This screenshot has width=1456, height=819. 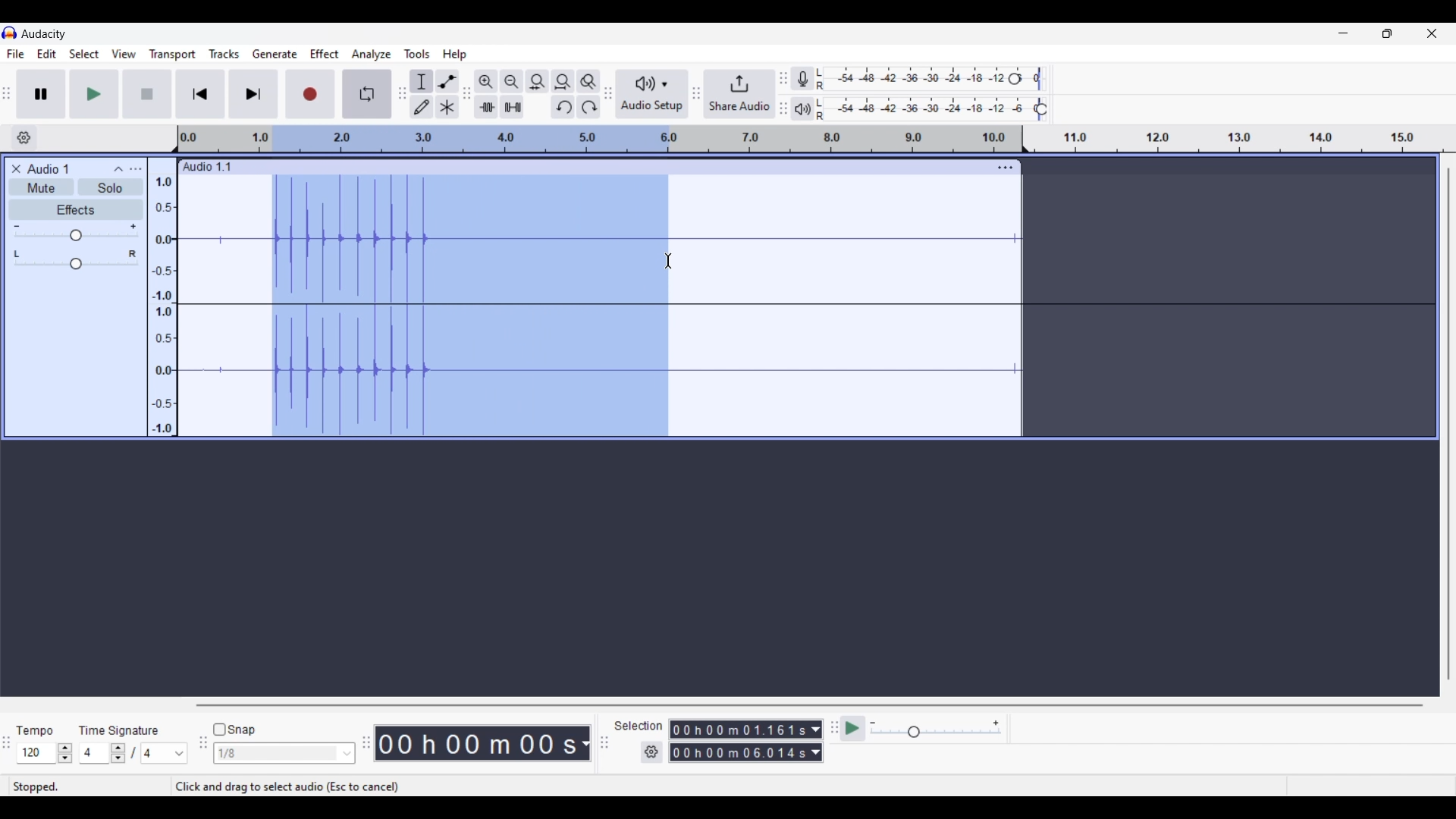 I want to click on Selection, so click(x=639, y=726).